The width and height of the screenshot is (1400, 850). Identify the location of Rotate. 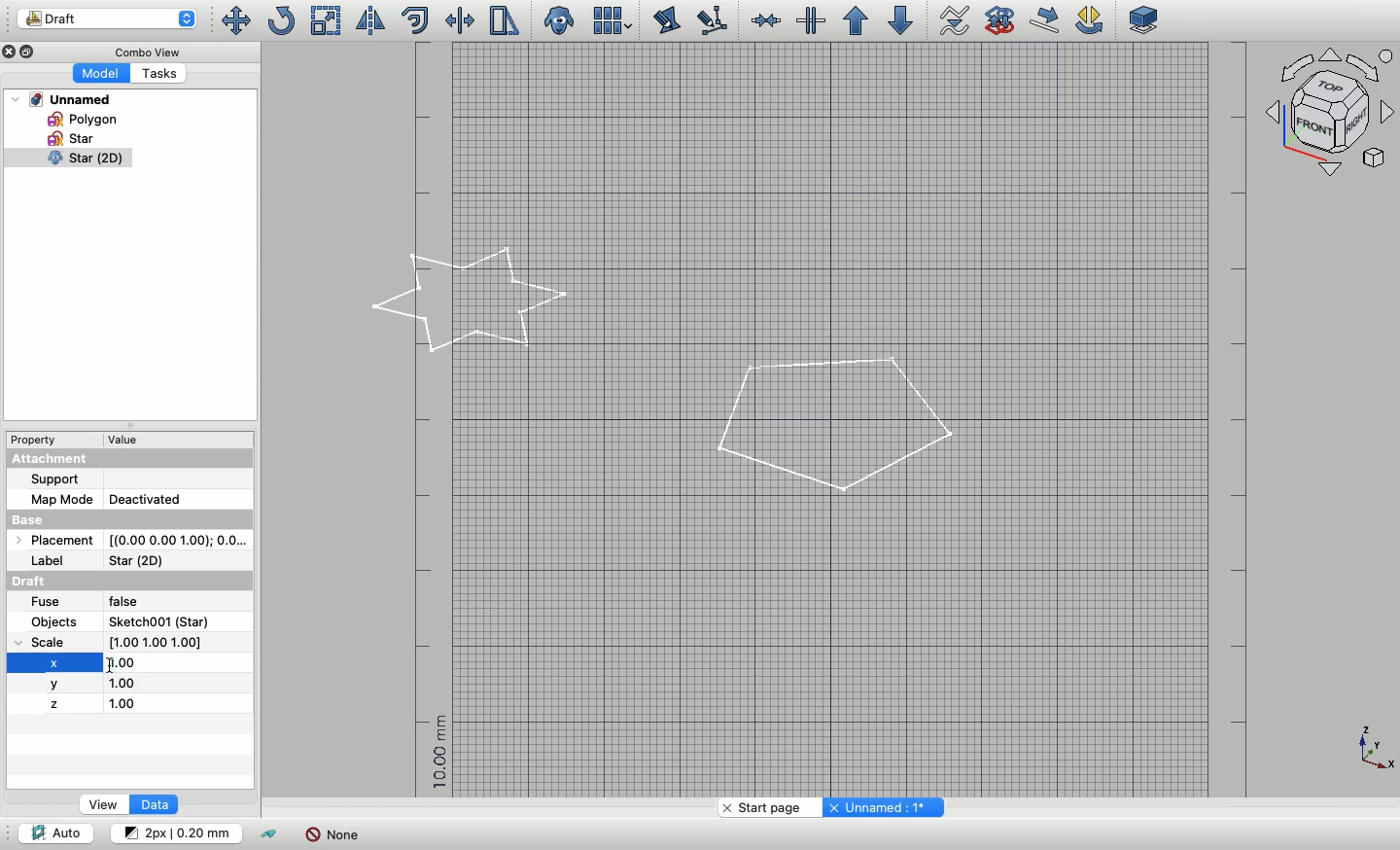
(280, 20).